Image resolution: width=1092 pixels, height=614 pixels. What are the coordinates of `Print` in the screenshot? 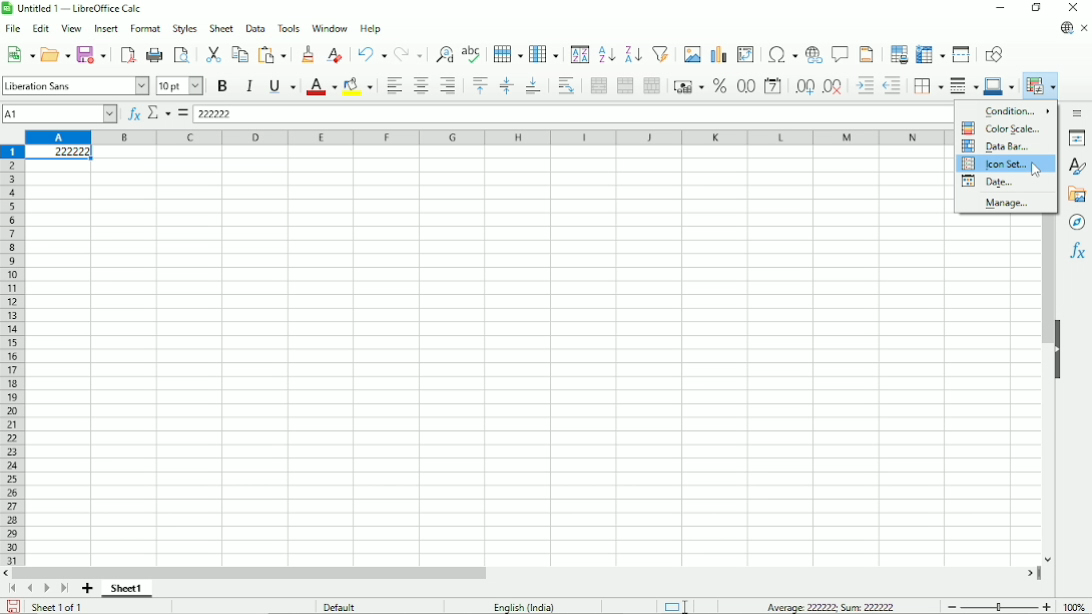 It's located at (156, 55).